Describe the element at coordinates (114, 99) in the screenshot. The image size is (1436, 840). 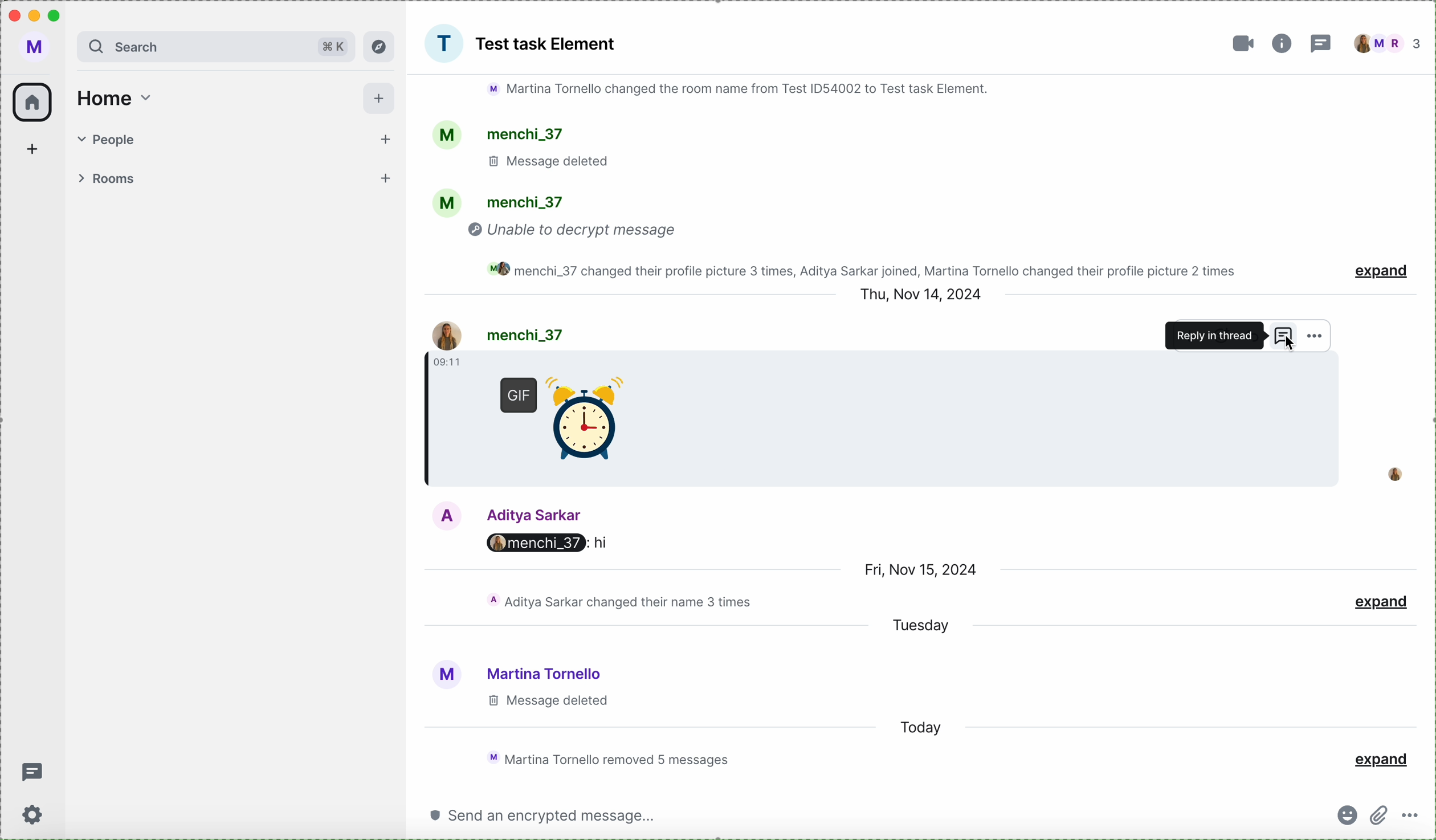
I see `home` at that location.